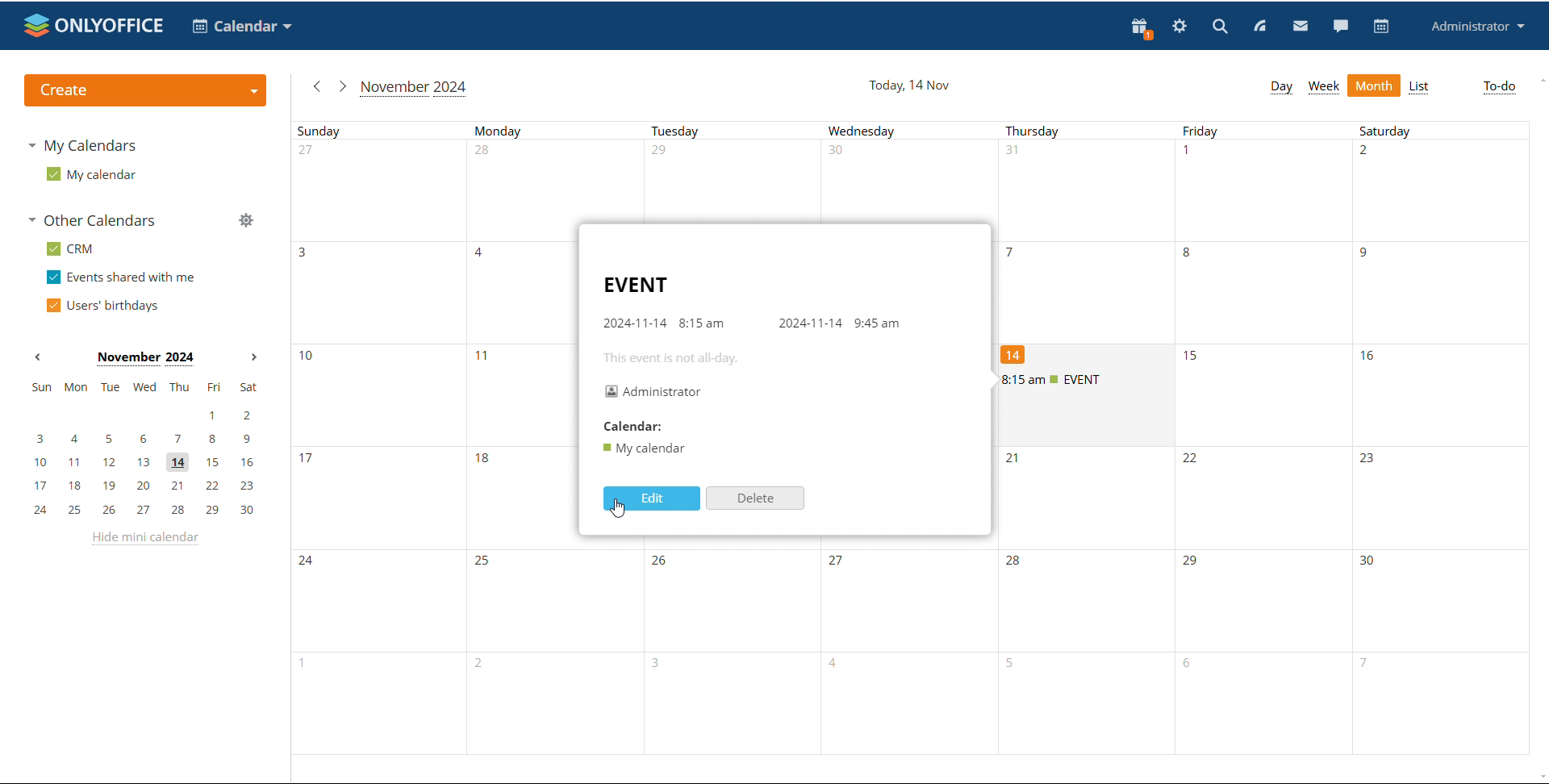  I want to click on Sunday, Monday, Tuesday, Wednesday, Thursday, Friday, Saturday, so click(916, 129).